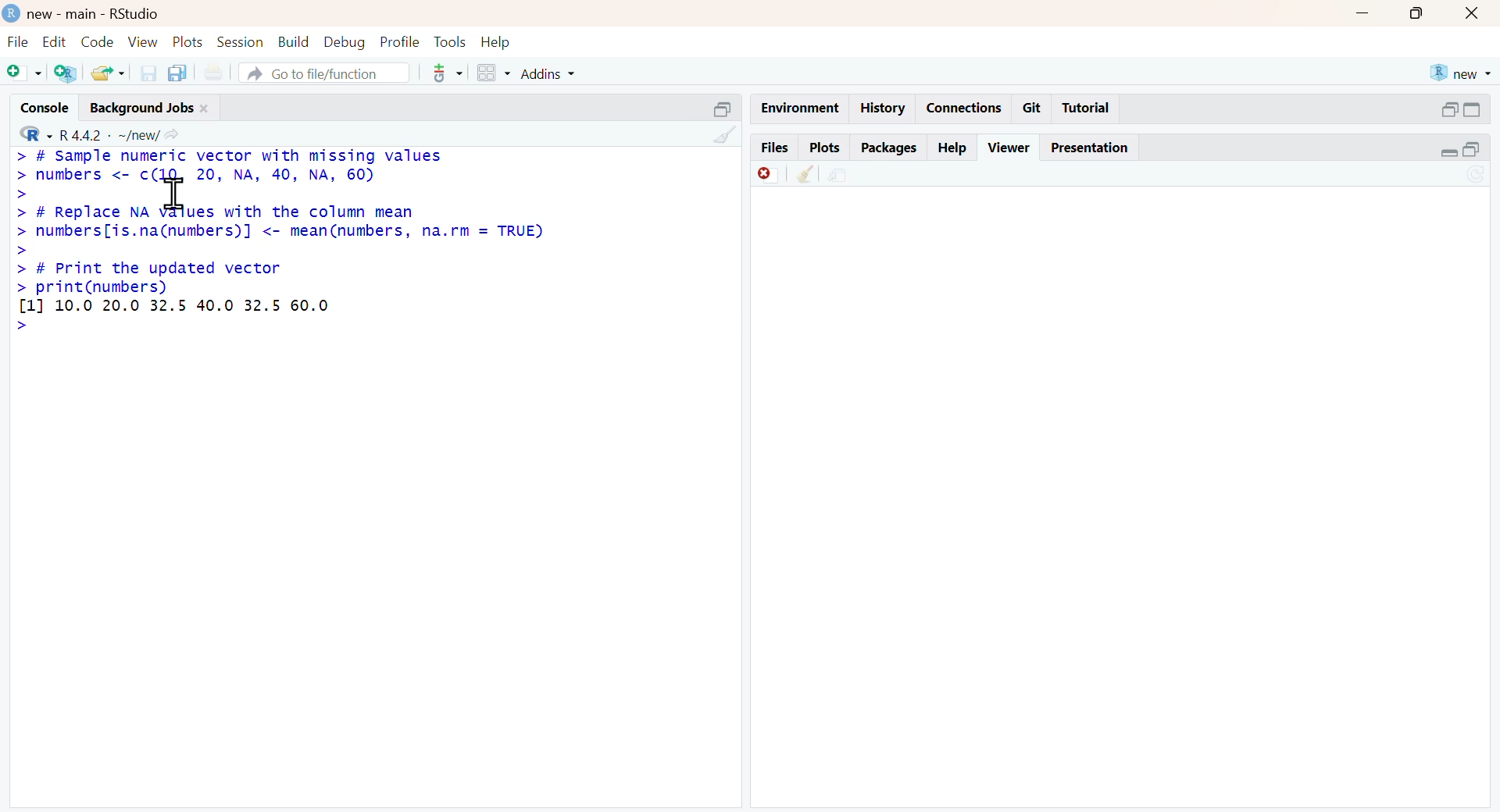 This screenshot has height=812, width=1500. Describe the element at coordinates (1090, 148) in the screenshot. I see `presentation` at that location.